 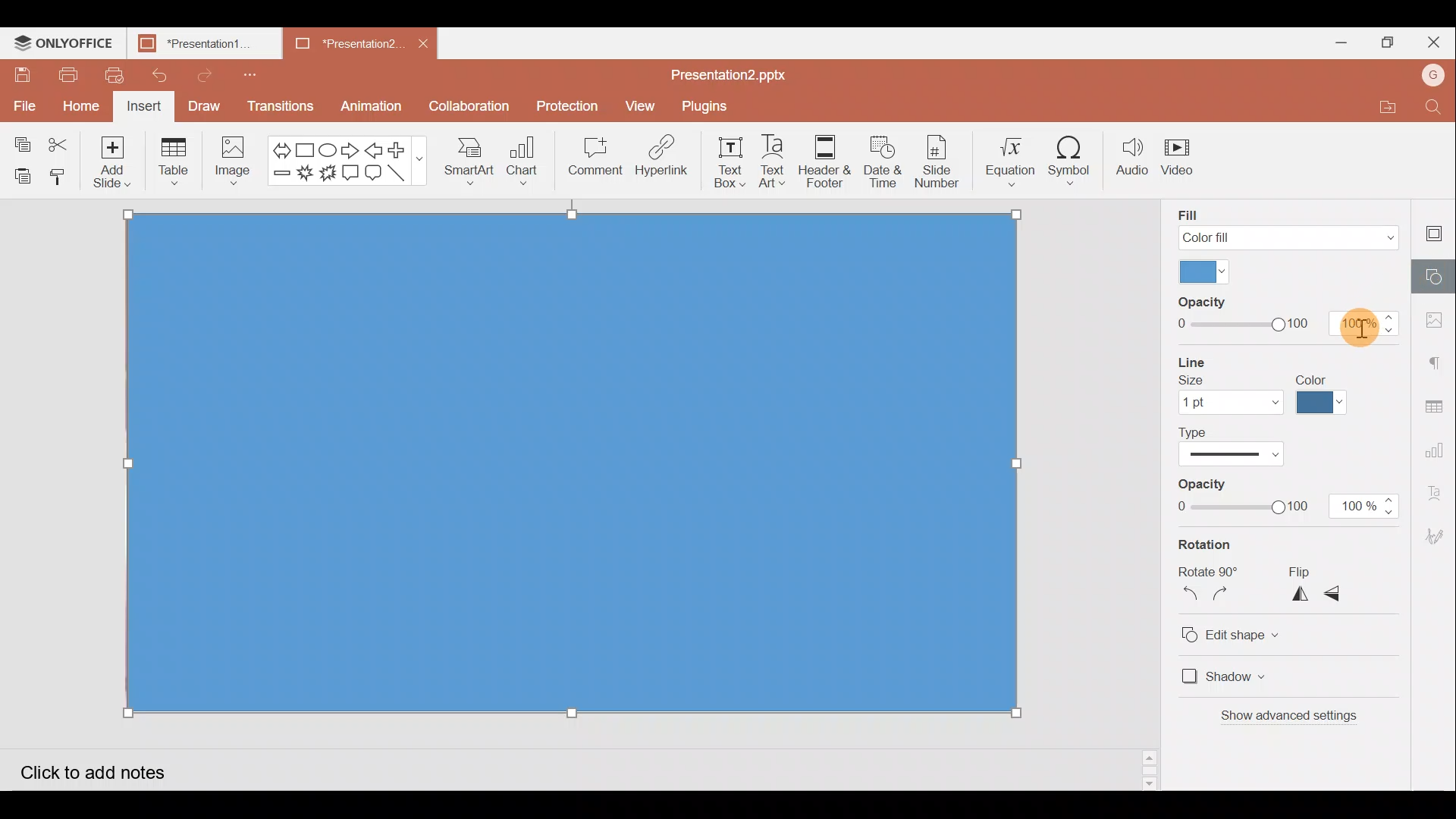 What do you see at coordinates (1320, 570) in the screenshot?
I see `Flip` at bounding box center [1320, 570].